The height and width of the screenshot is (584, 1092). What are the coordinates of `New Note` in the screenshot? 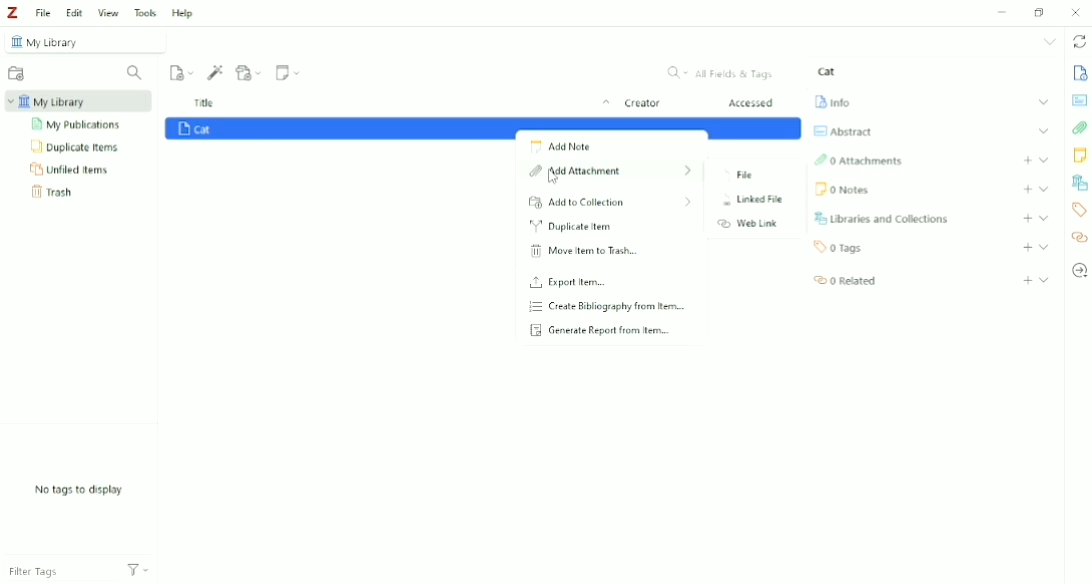 It's located at (289, 72).